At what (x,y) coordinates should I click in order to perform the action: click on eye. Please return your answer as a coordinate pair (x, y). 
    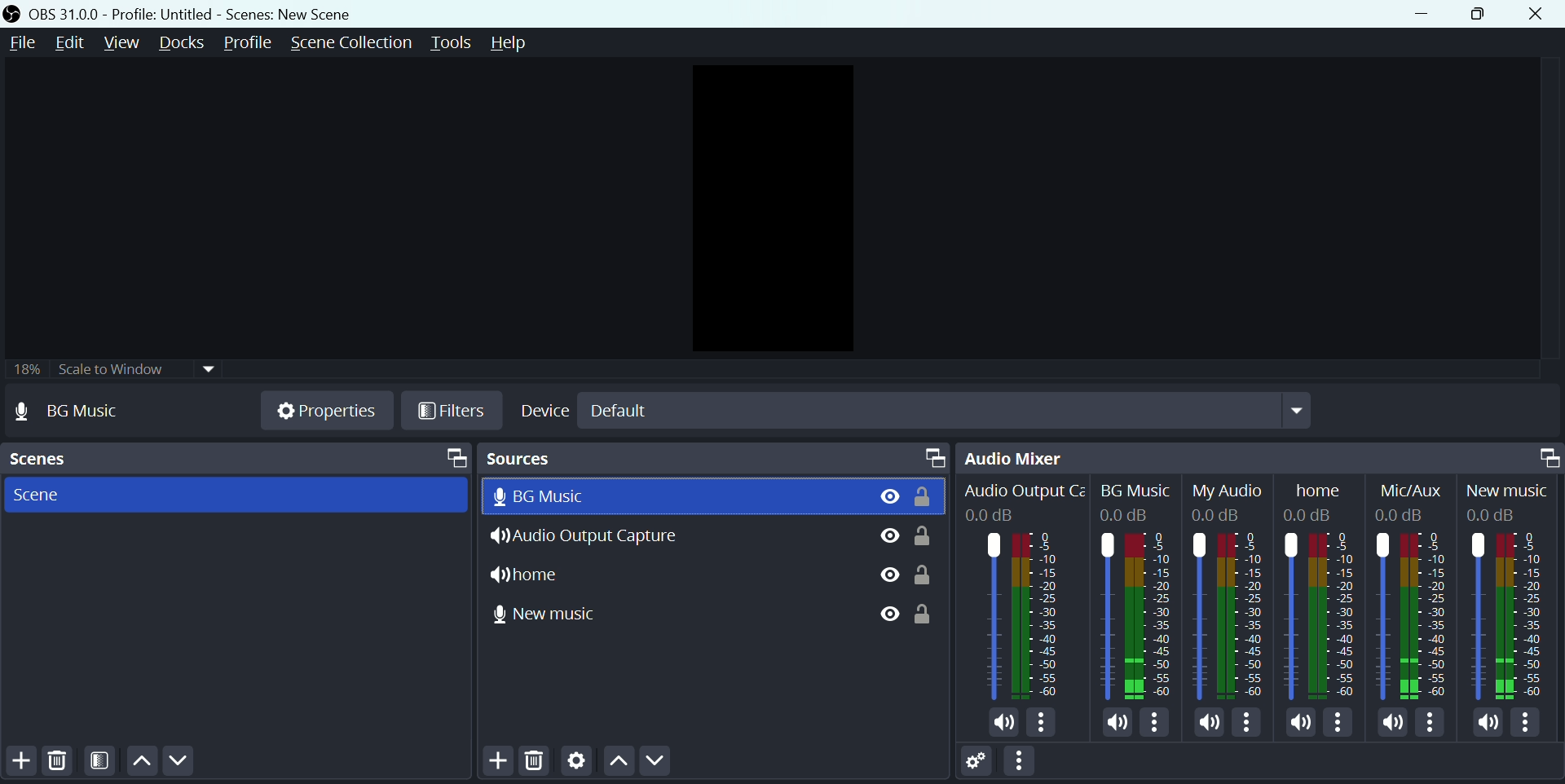
    Looking at the image, I should click on (881, 537).